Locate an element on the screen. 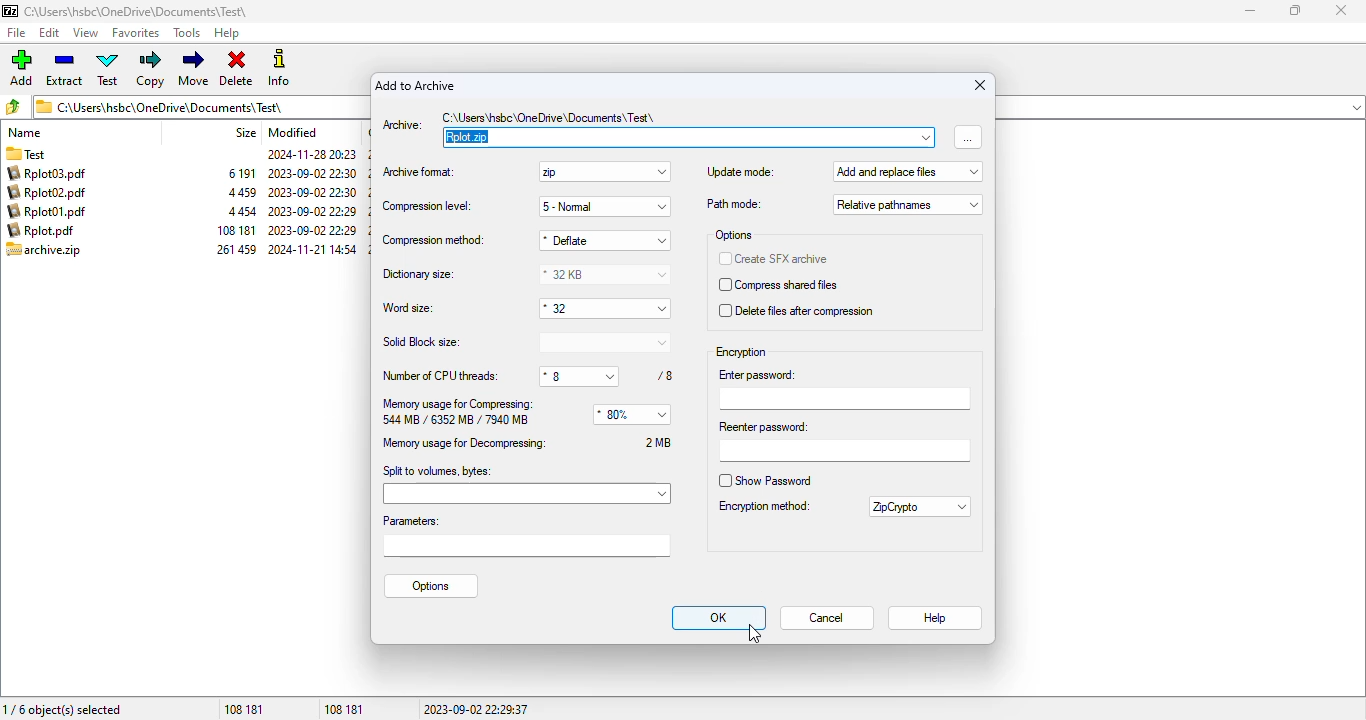  delete files after compression is located at coordinates (797, 311).